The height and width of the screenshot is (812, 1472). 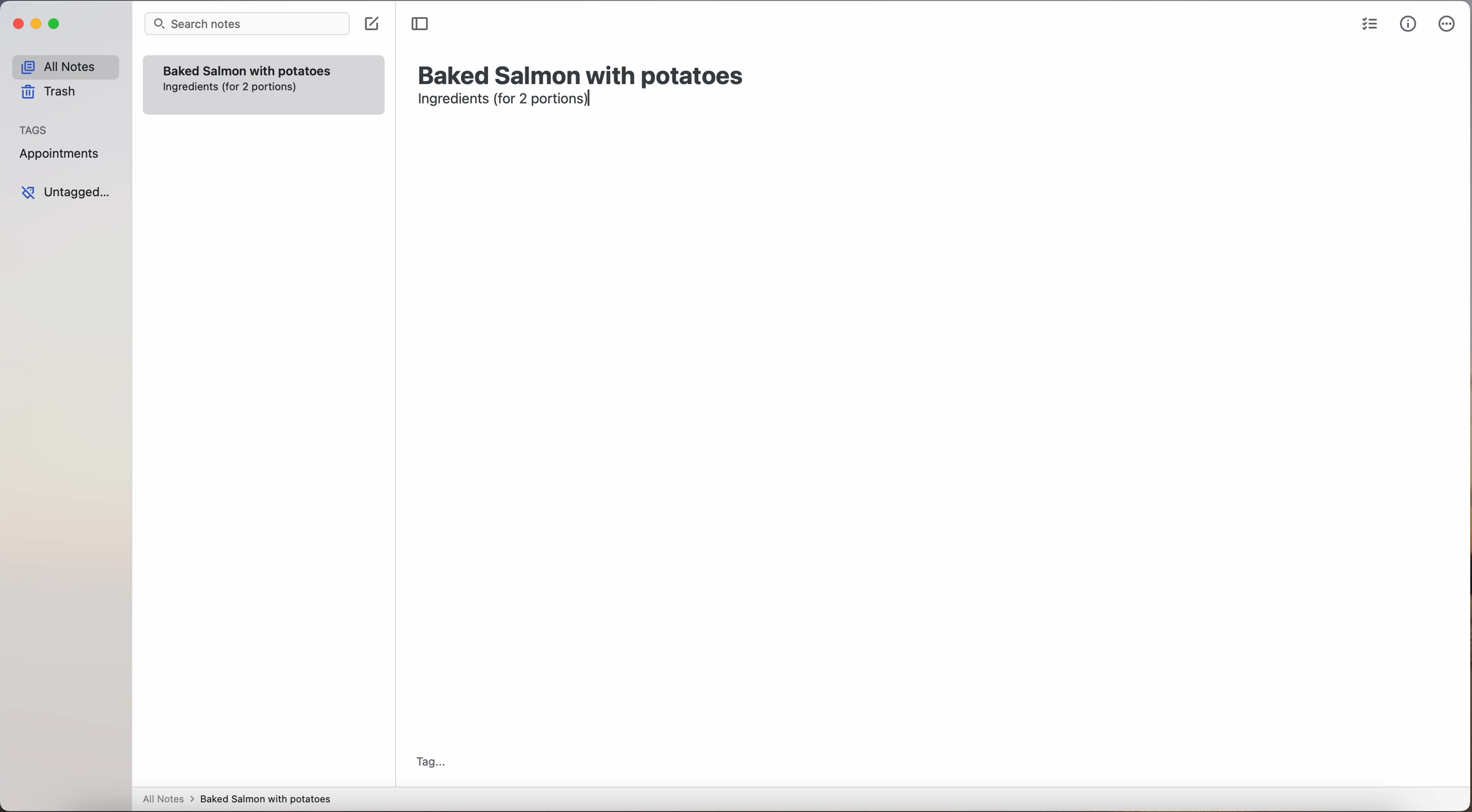 What do you see at coordinates (65, 66) in the screenshot?
I see `all notes` at bounding box center [65, 66].